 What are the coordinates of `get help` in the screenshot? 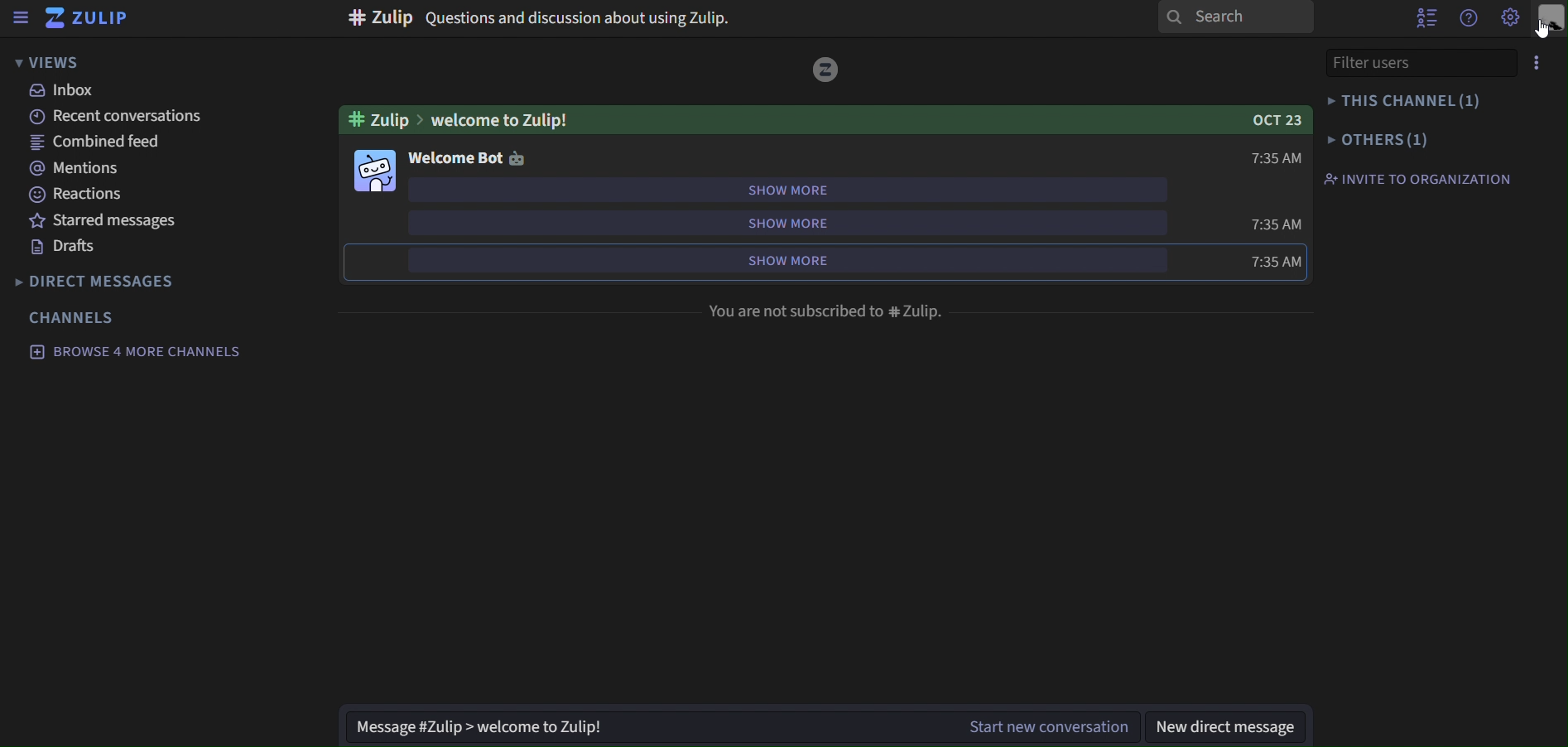 It's located at (1470, 19).